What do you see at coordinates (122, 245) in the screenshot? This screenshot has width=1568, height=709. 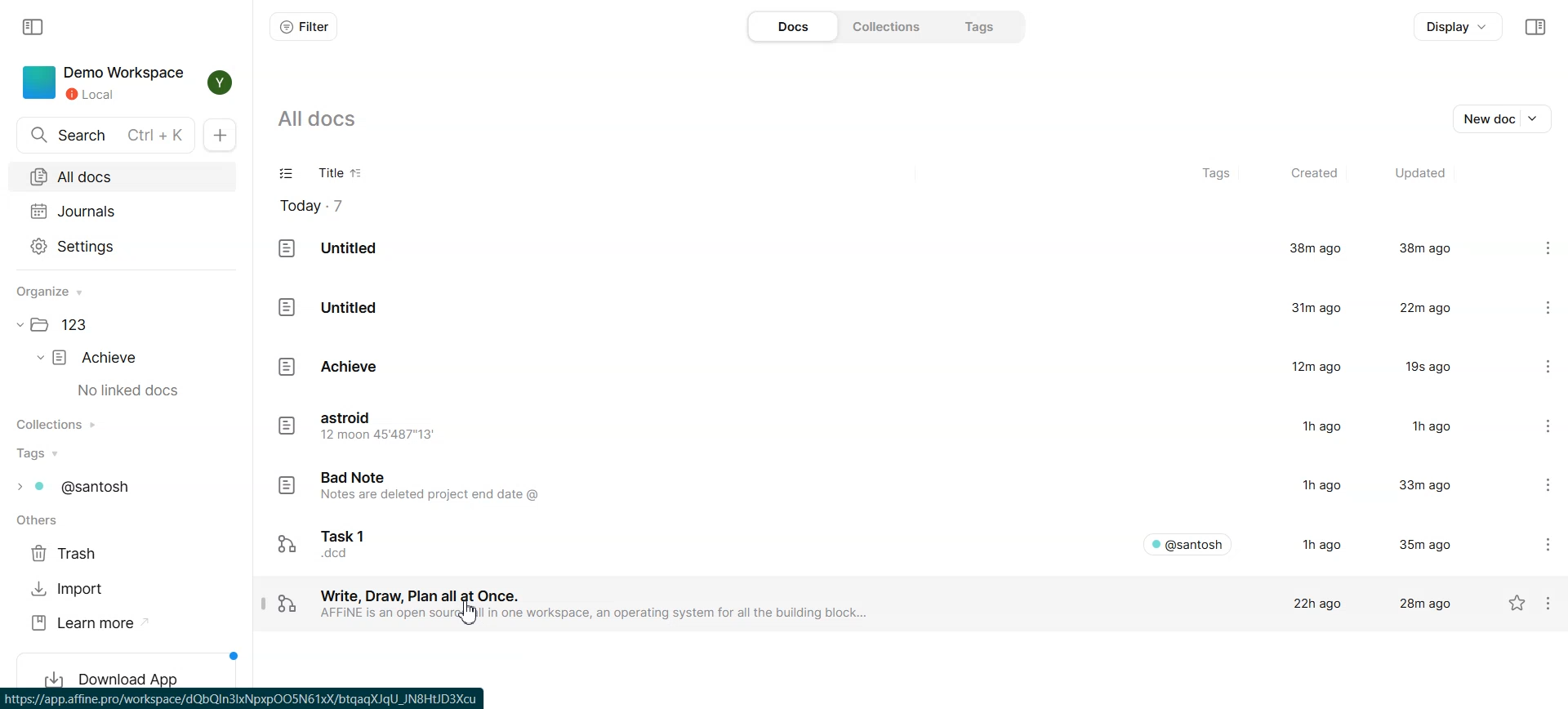 I see `Settings` at bounding box center [122, 245].